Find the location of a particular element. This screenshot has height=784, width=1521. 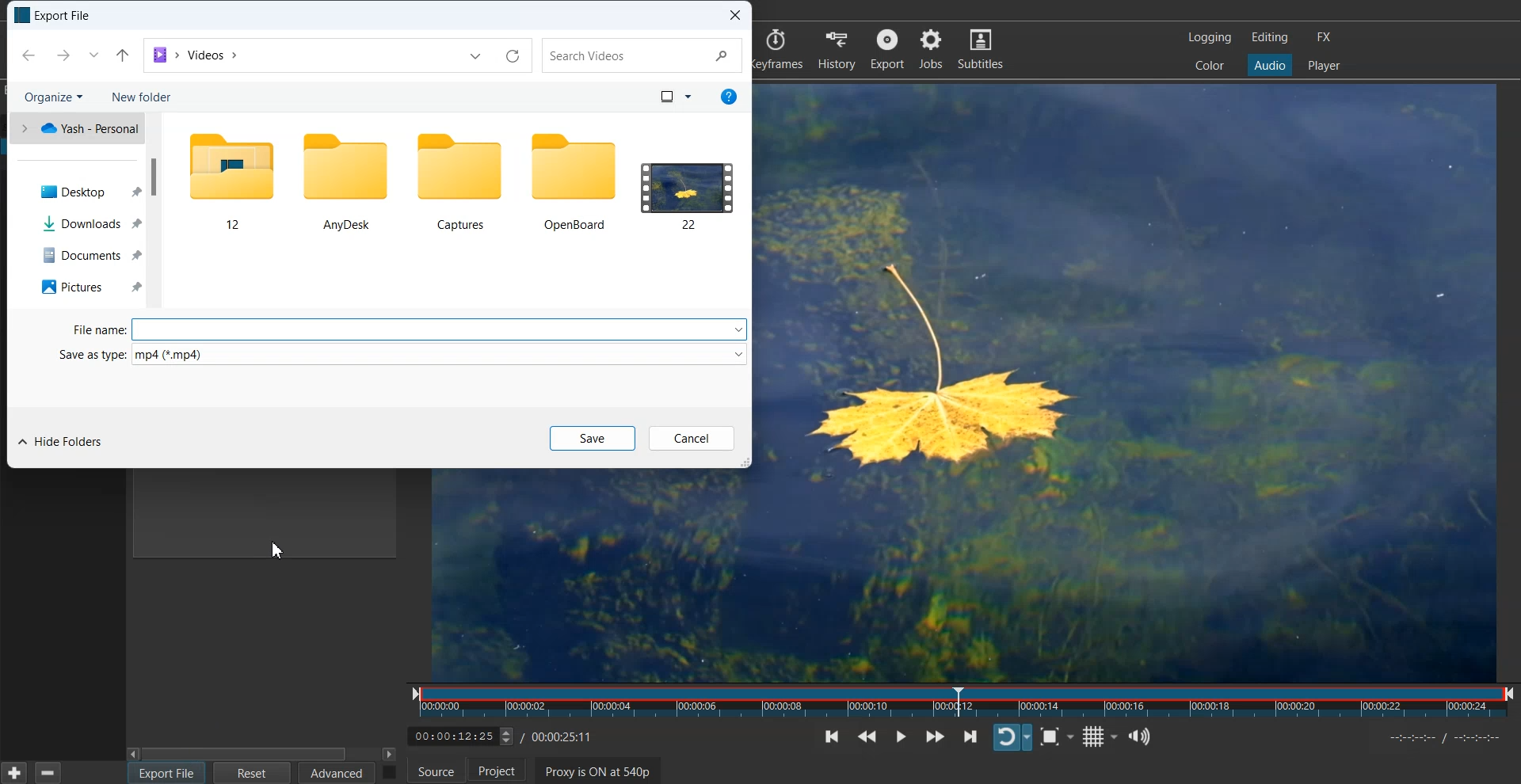

Time is located at coordinates (506, 734).